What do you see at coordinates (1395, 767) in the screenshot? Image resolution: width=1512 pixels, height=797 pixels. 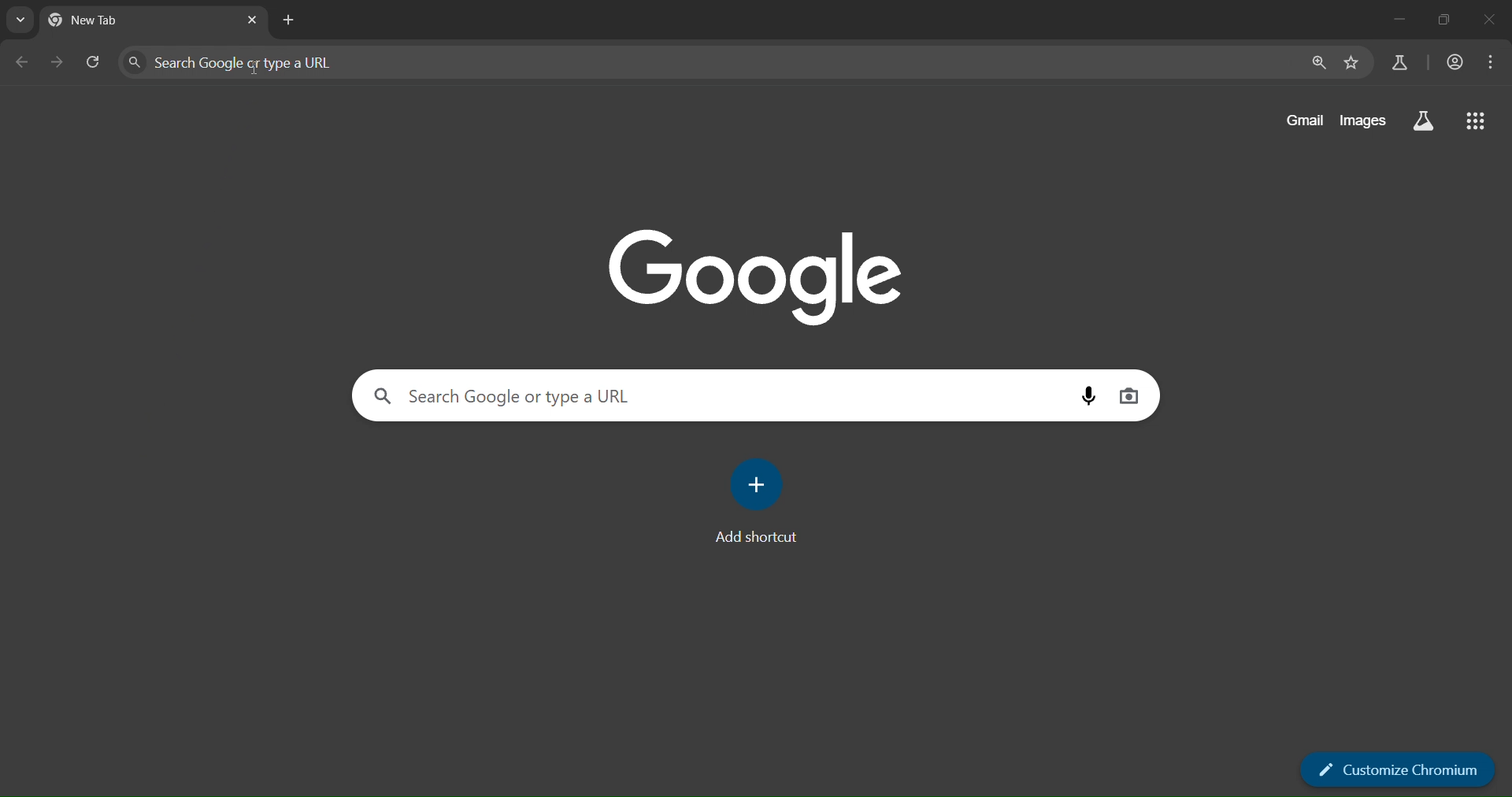 I see `customize chromium` at bounding box center [1395, 767].